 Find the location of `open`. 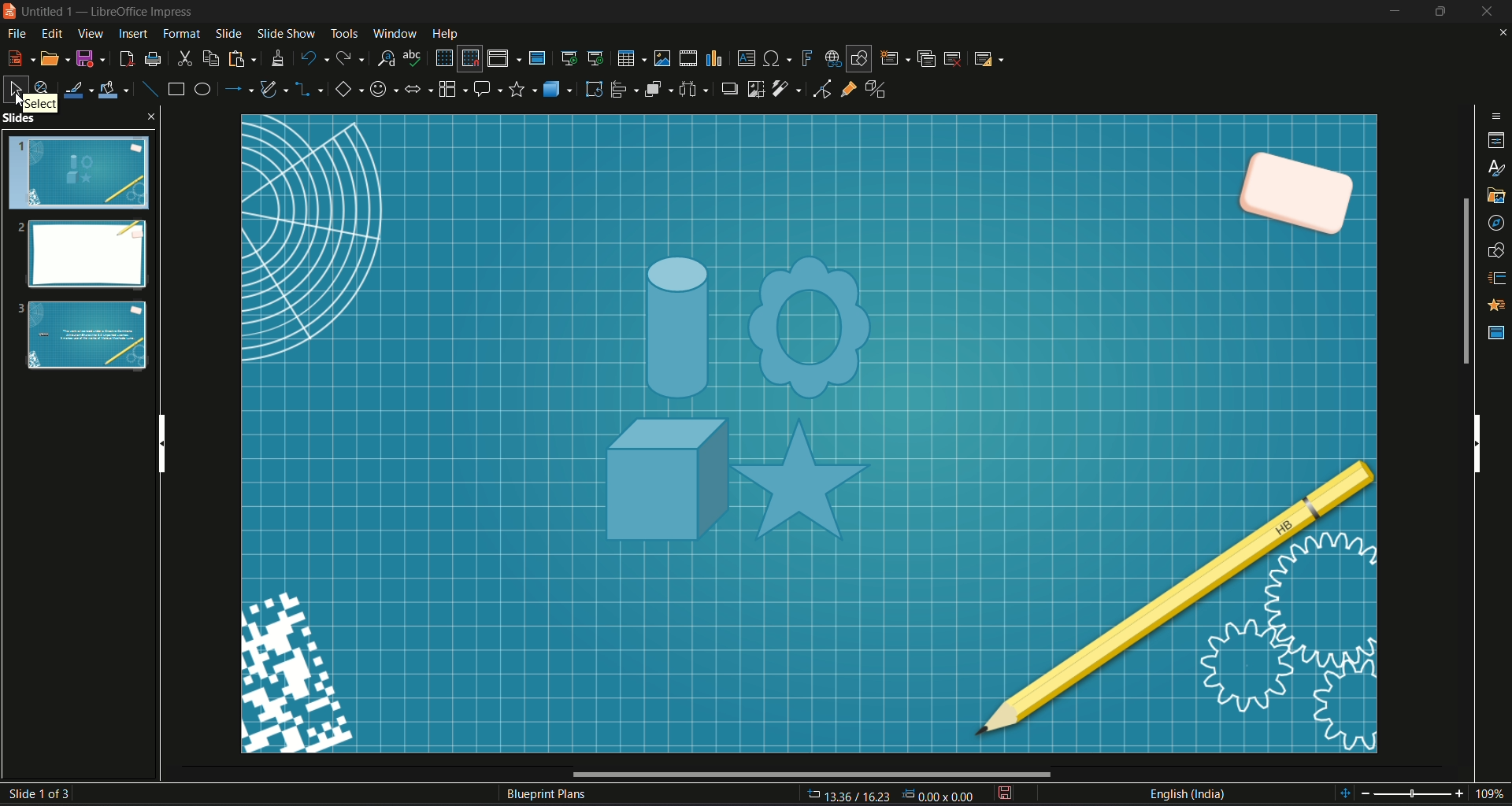

open is located at coordinates (56, 58).